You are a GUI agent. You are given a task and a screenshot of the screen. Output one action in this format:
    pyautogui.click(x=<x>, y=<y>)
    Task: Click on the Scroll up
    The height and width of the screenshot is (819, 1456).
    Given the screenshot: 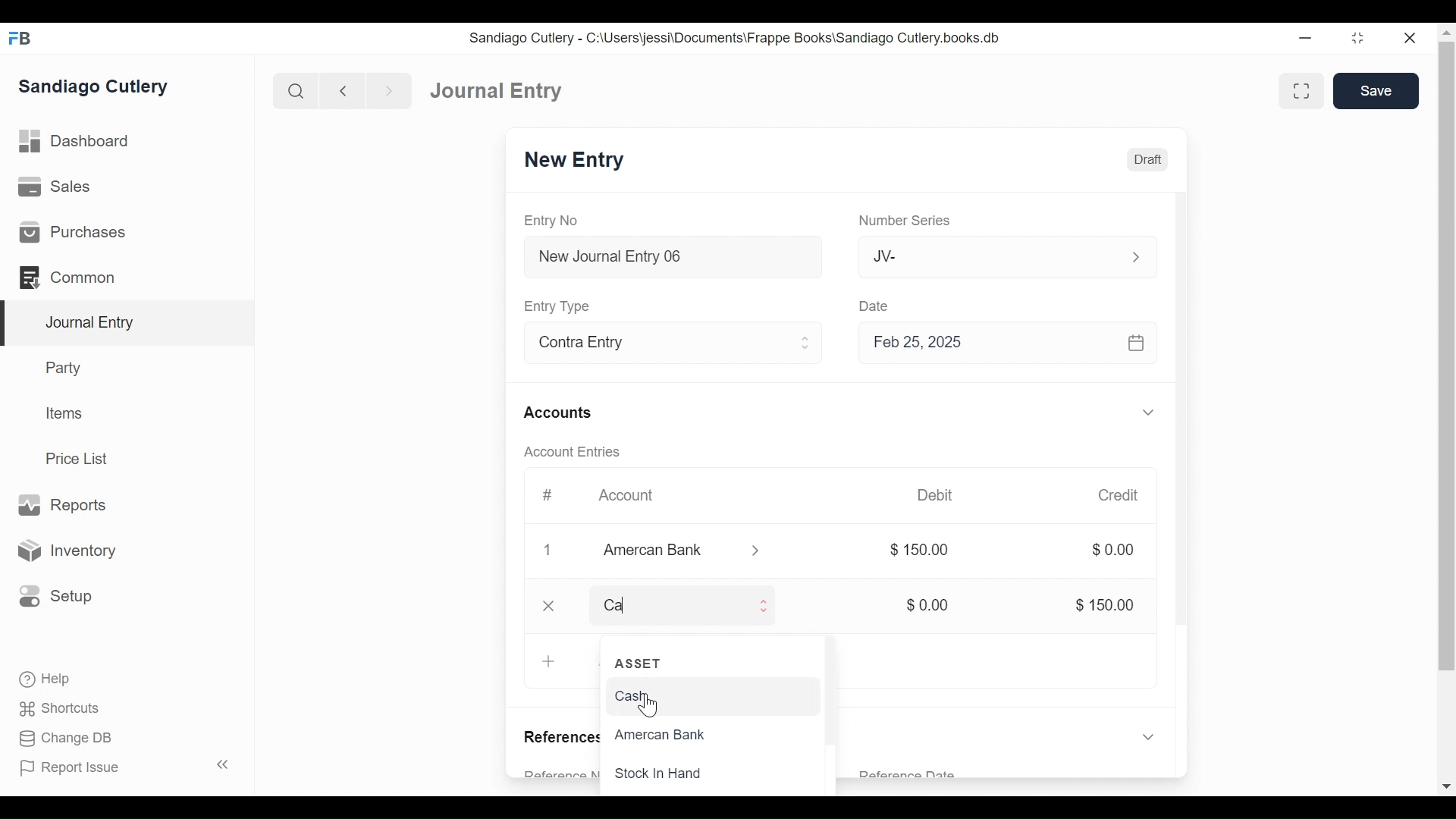 What is the action you would take?
    pyautogui.click(x=1447, y=33)
    